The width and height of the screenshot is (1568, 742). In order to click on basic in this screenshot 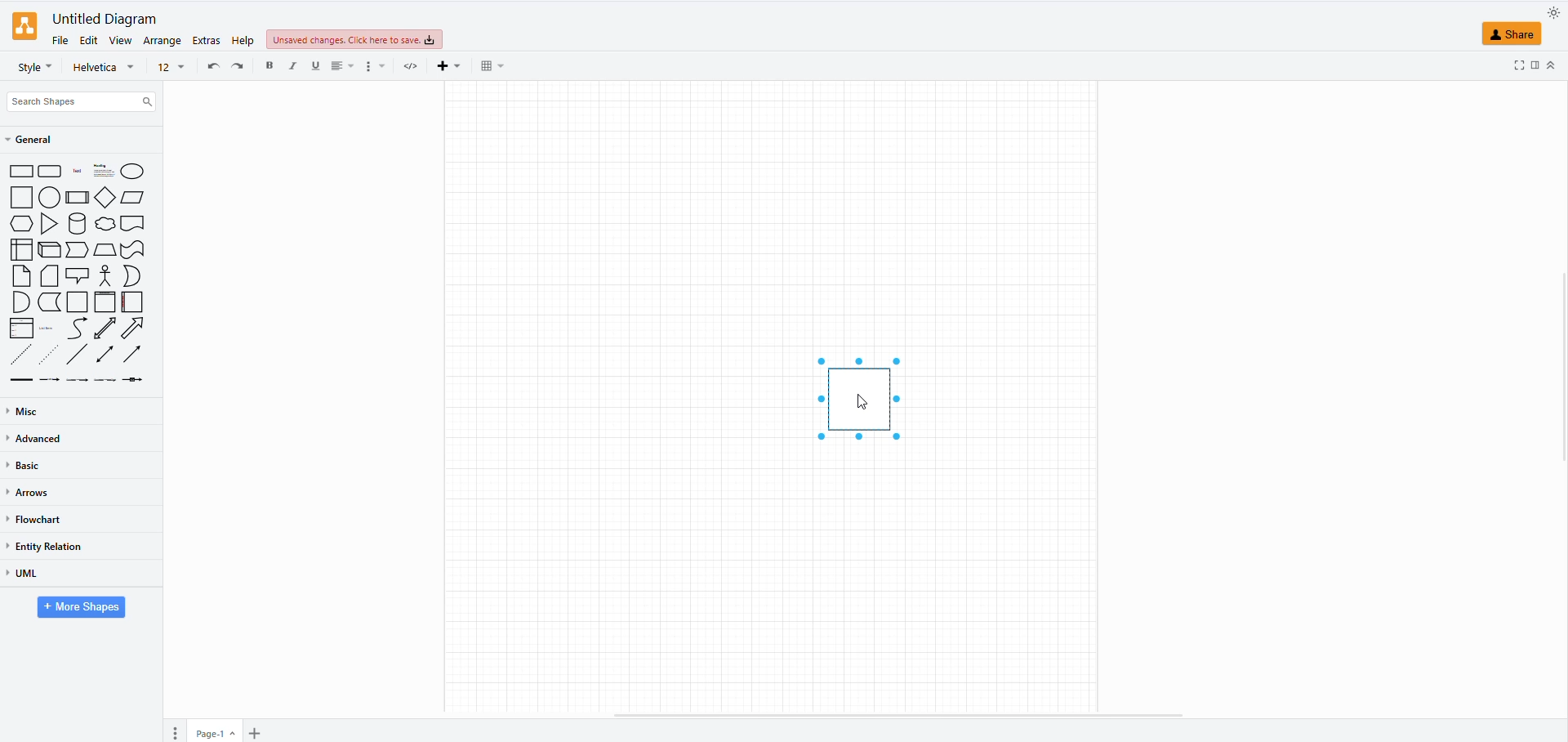, I will do `click(31, 467)`.